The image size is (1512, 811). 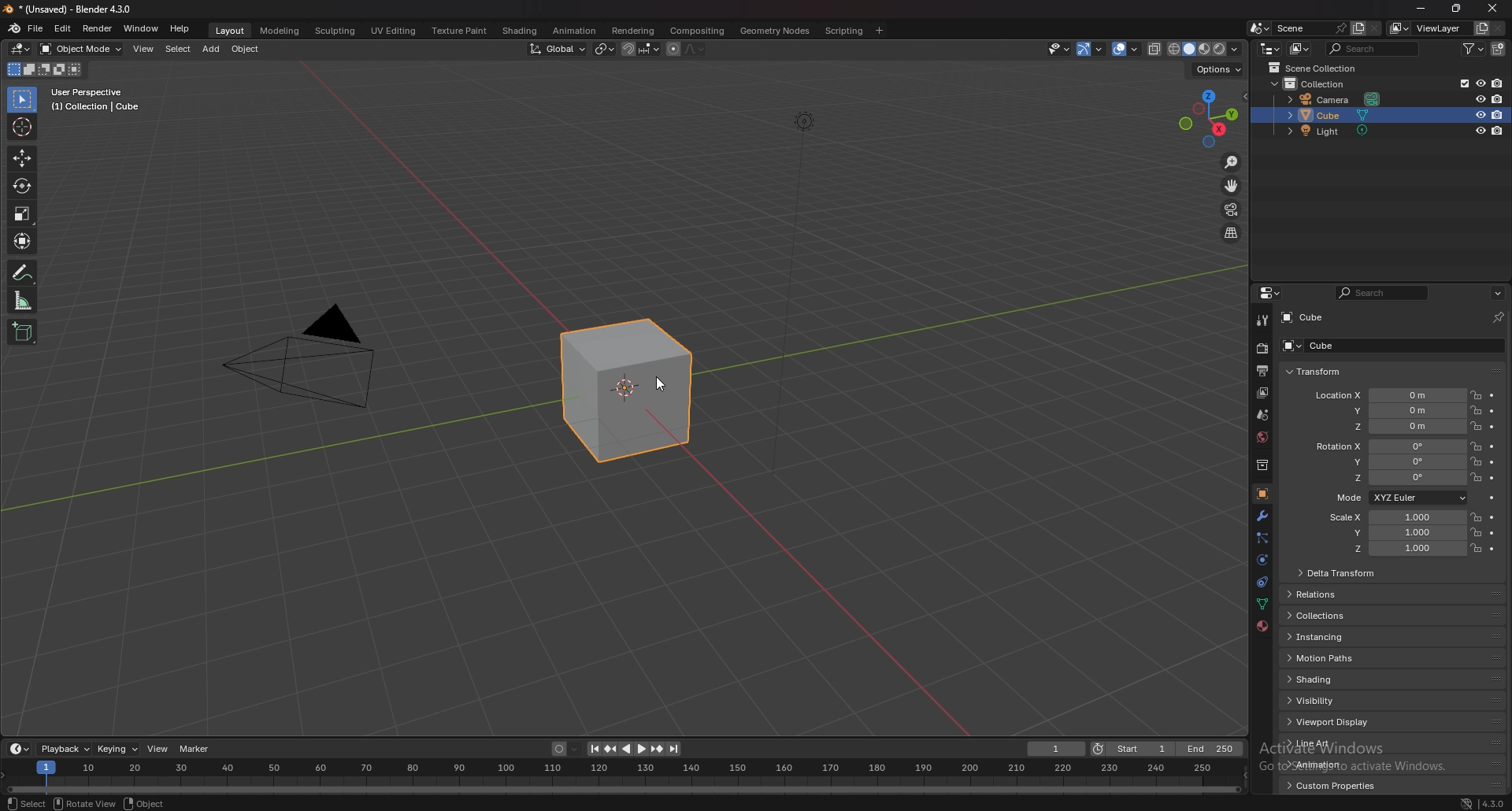 What do you see at coordinates (1499, 49) in the screenshot?
I see `new collection` at bounding box center [1499, 49].